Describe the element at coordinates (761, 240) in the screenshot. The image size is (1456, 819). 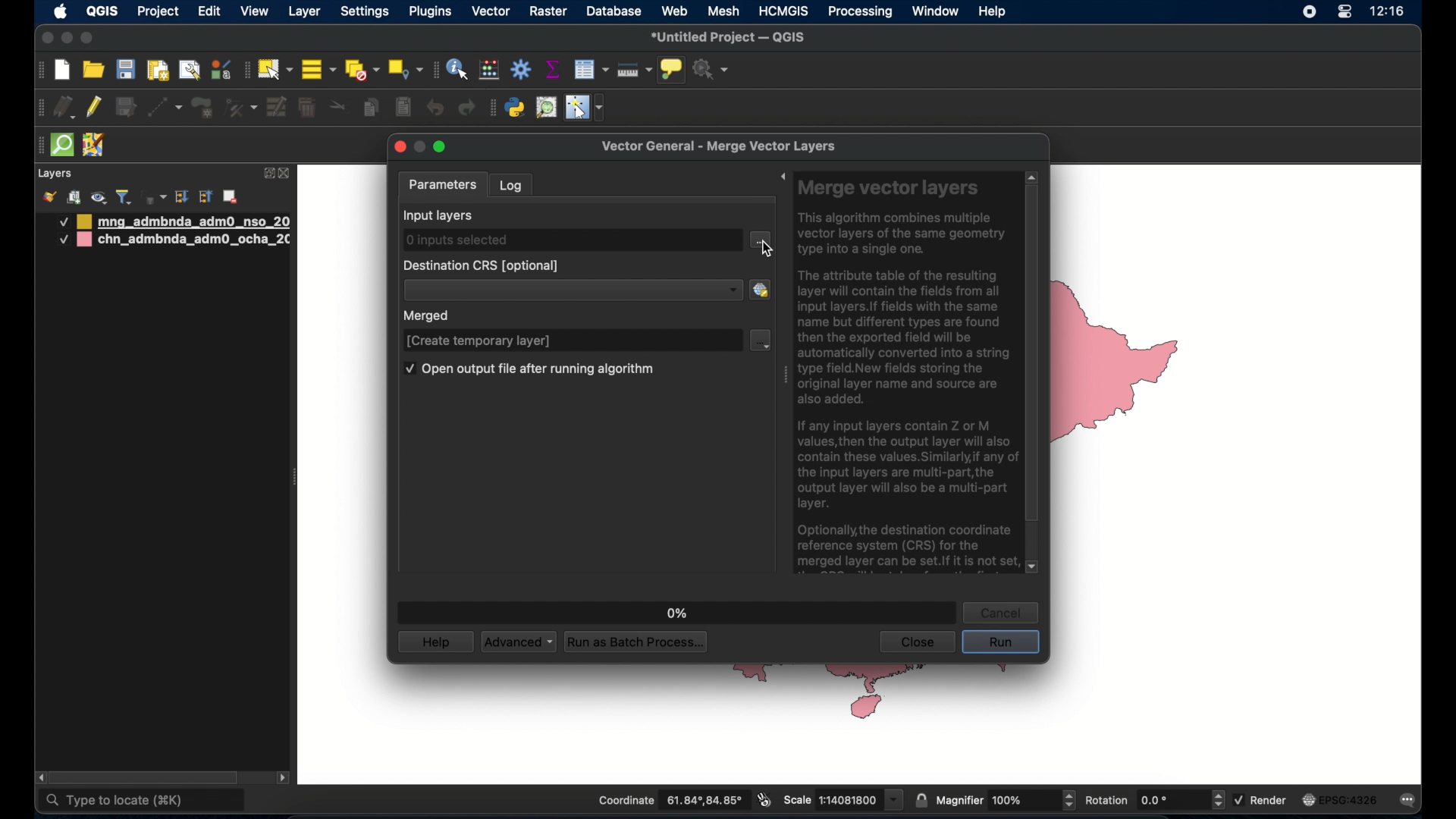
I see `menu button` at that location.